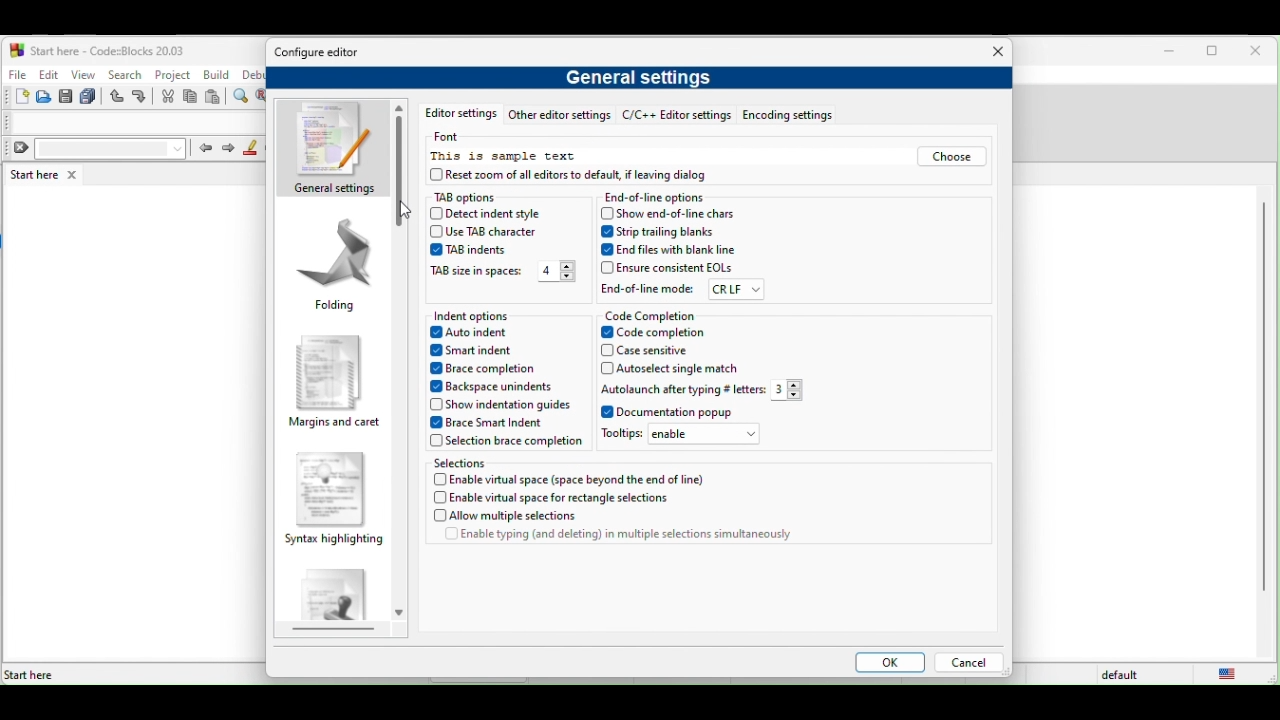 This screenshot has width=1280, height=720. I want to click on encoding settings, so click(797, 116).